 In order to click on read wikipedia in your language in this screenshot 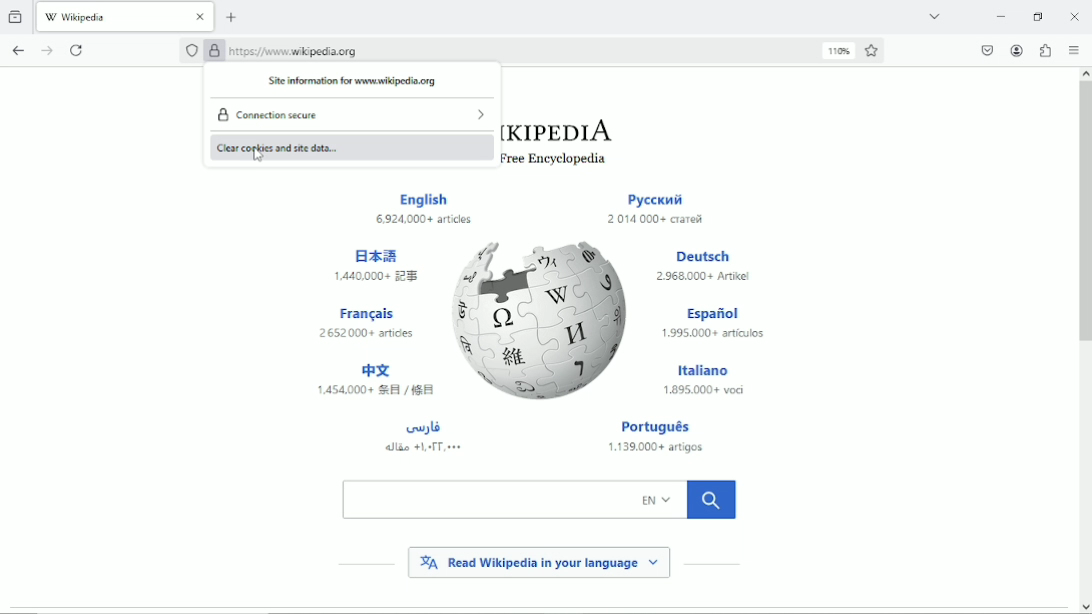, I will do `click(539, 561)`.